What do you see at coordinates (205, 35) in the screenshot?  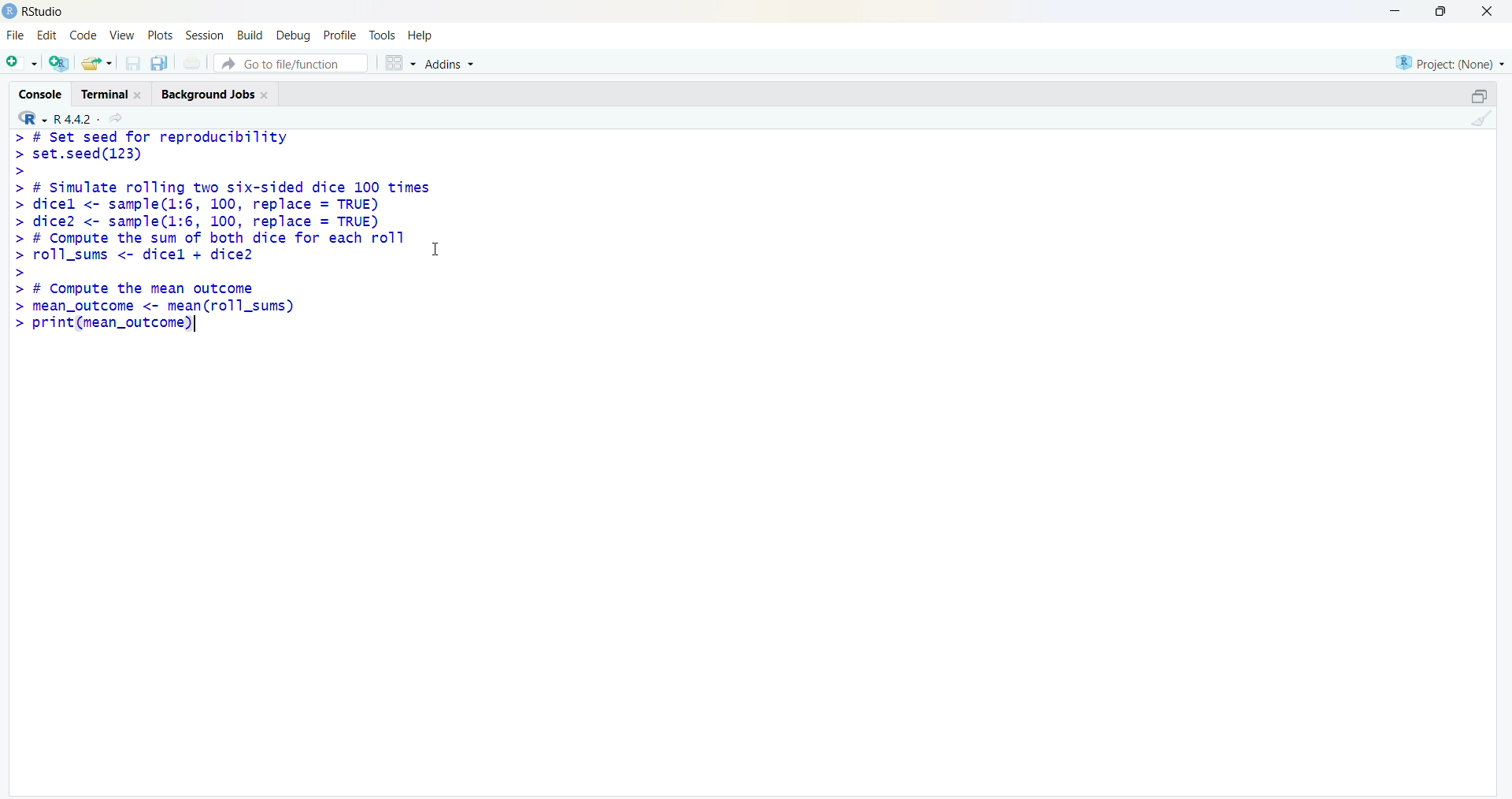 I see `session` at bounding box center [205, 35].